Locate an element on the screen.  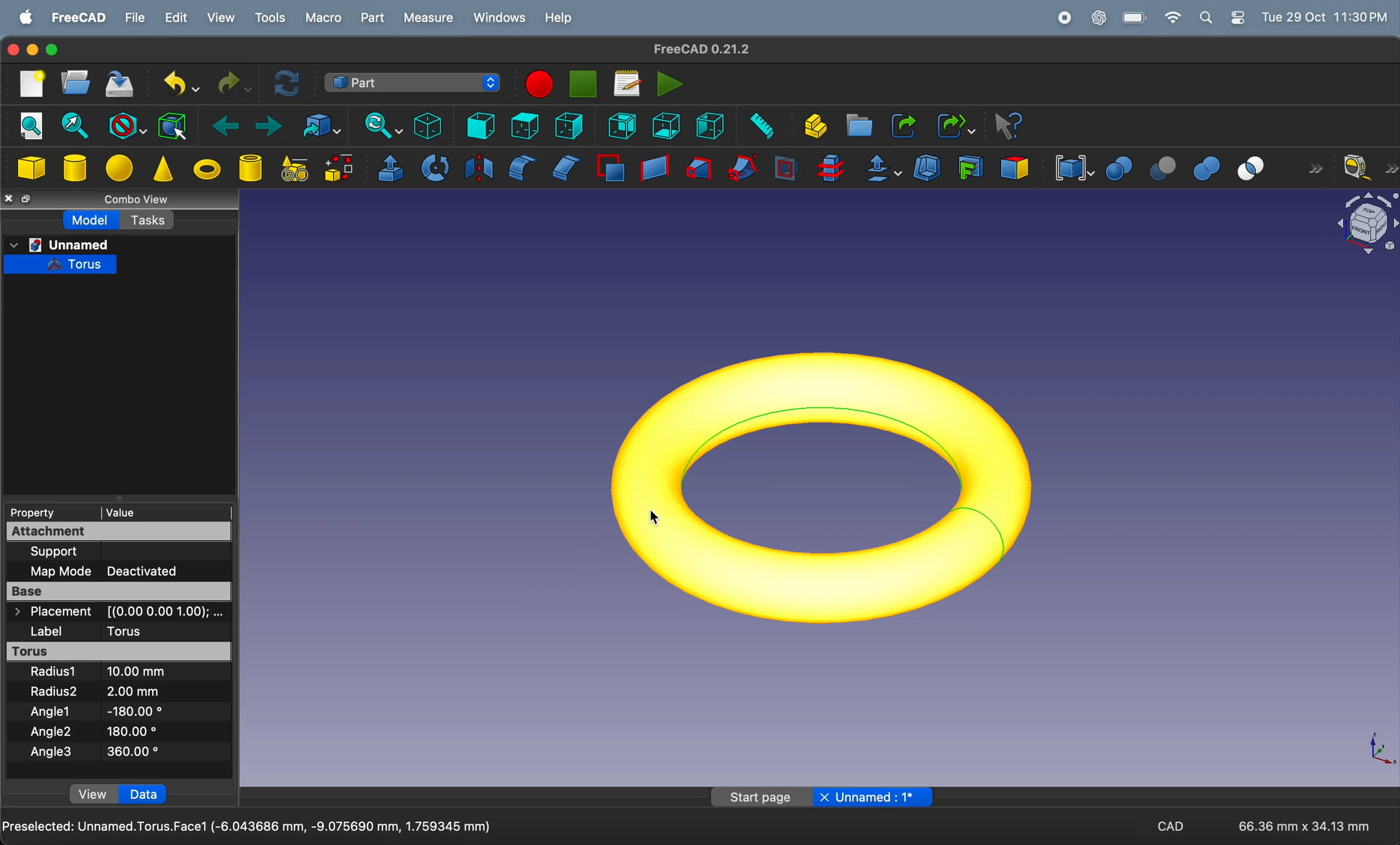
attachment is located at coordinates (53, 532).